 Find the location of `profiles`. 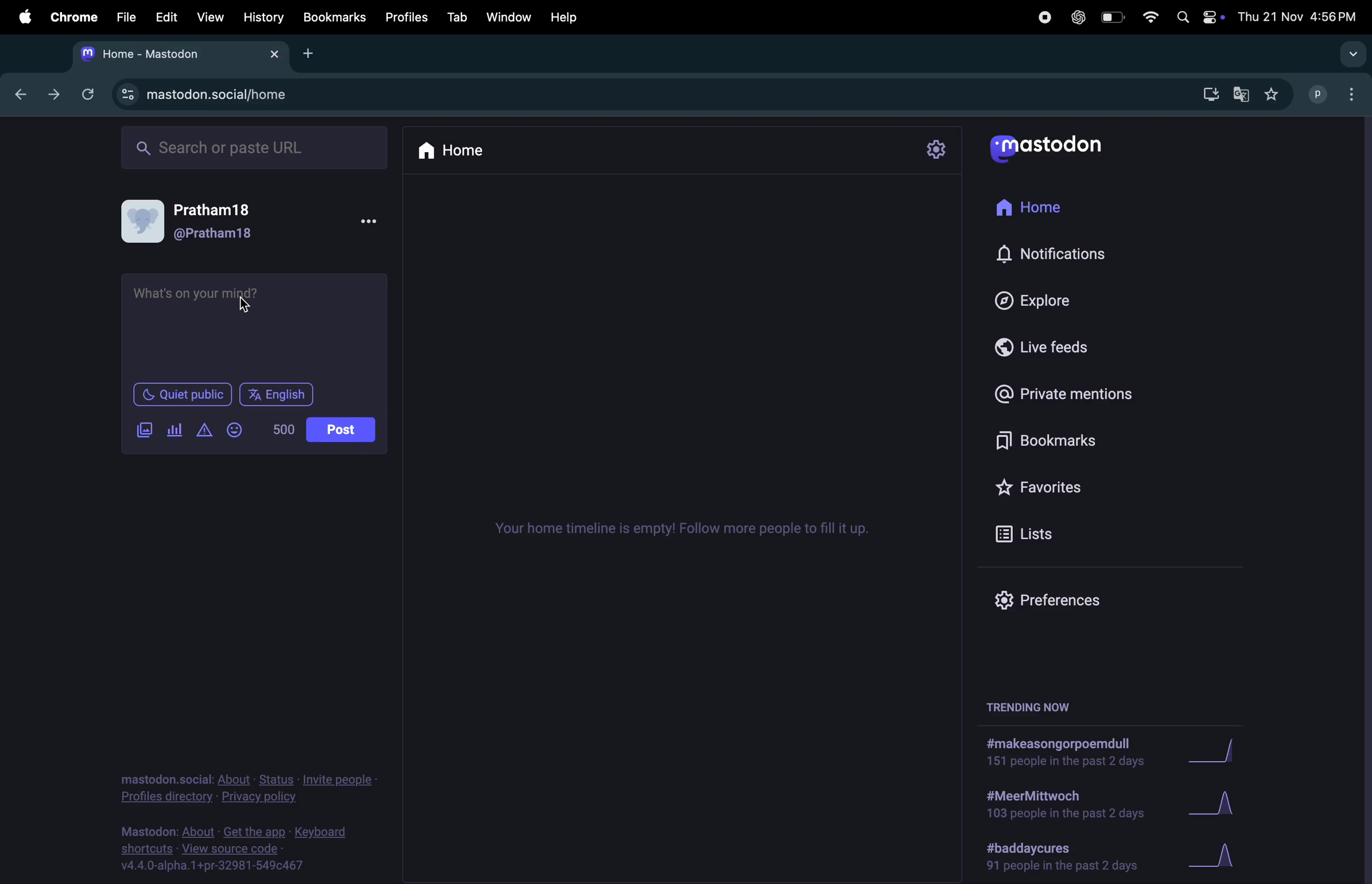

profiles is located at coordinates (404, 17).